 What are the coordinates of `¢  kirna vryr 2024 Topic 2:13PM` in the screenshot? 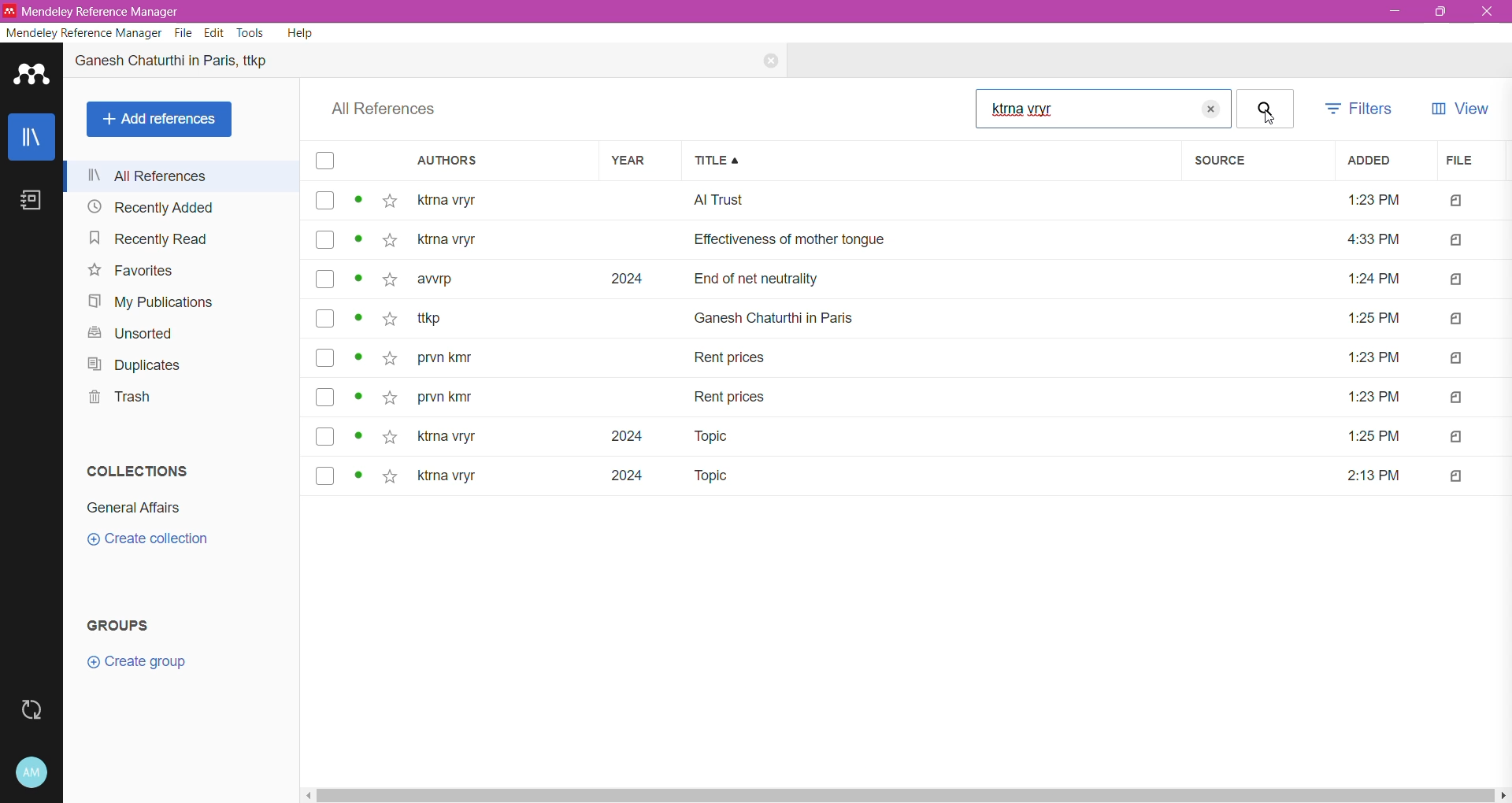 It's located at (908, 477).